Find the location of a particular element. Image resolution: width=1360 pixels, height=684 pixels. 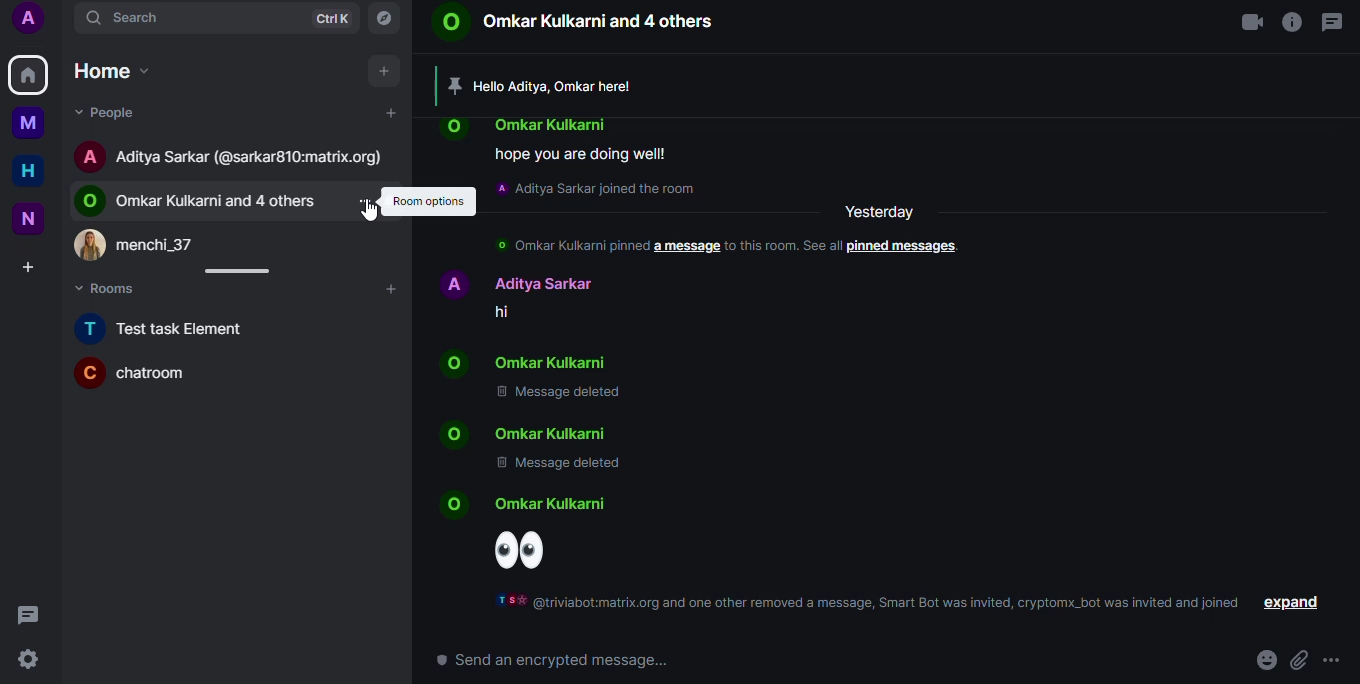

message is located at coordinates (581, 156).